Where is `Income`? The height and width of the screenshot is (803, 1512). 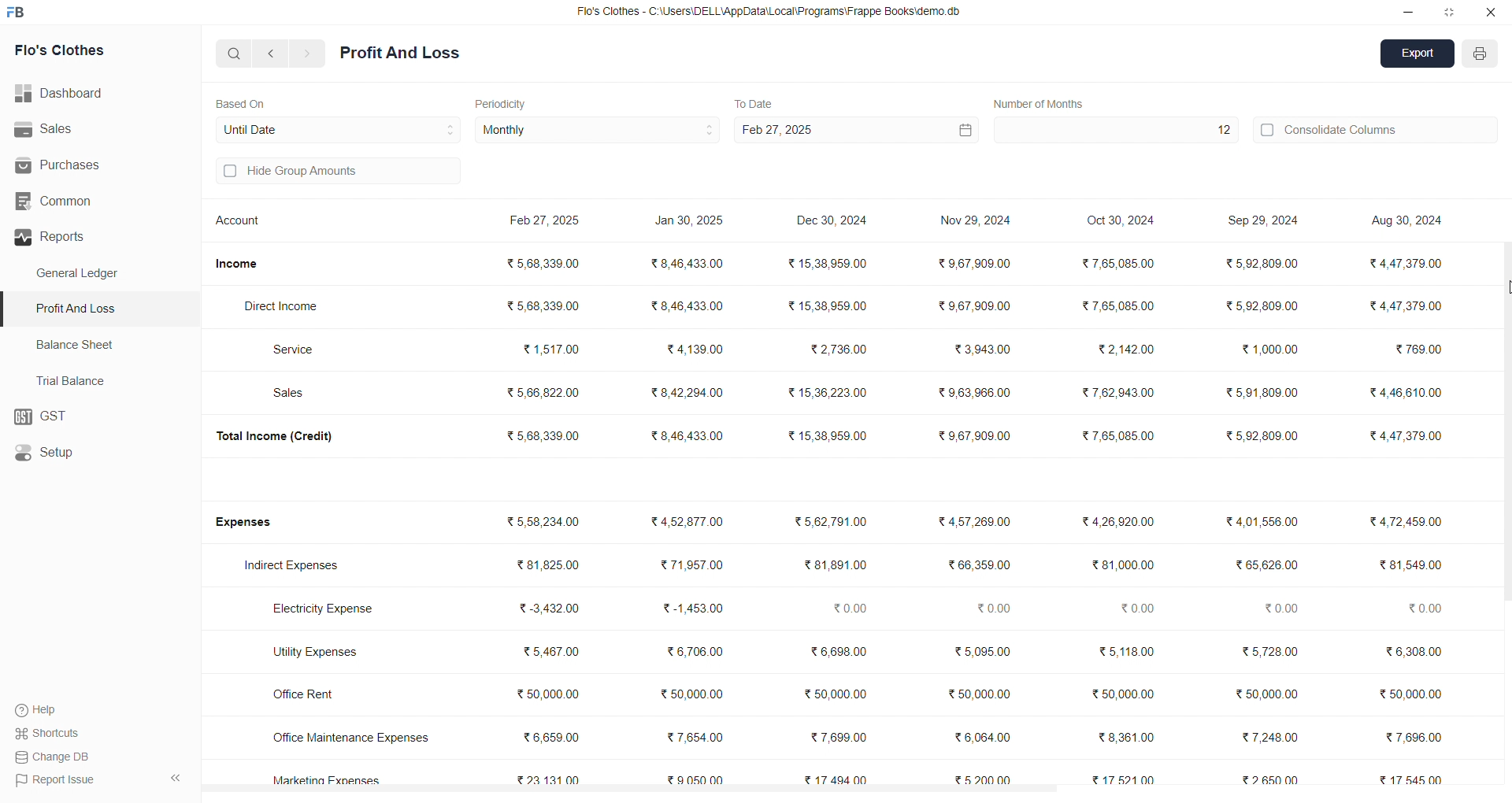
Income is located at coordinates (243, 264).